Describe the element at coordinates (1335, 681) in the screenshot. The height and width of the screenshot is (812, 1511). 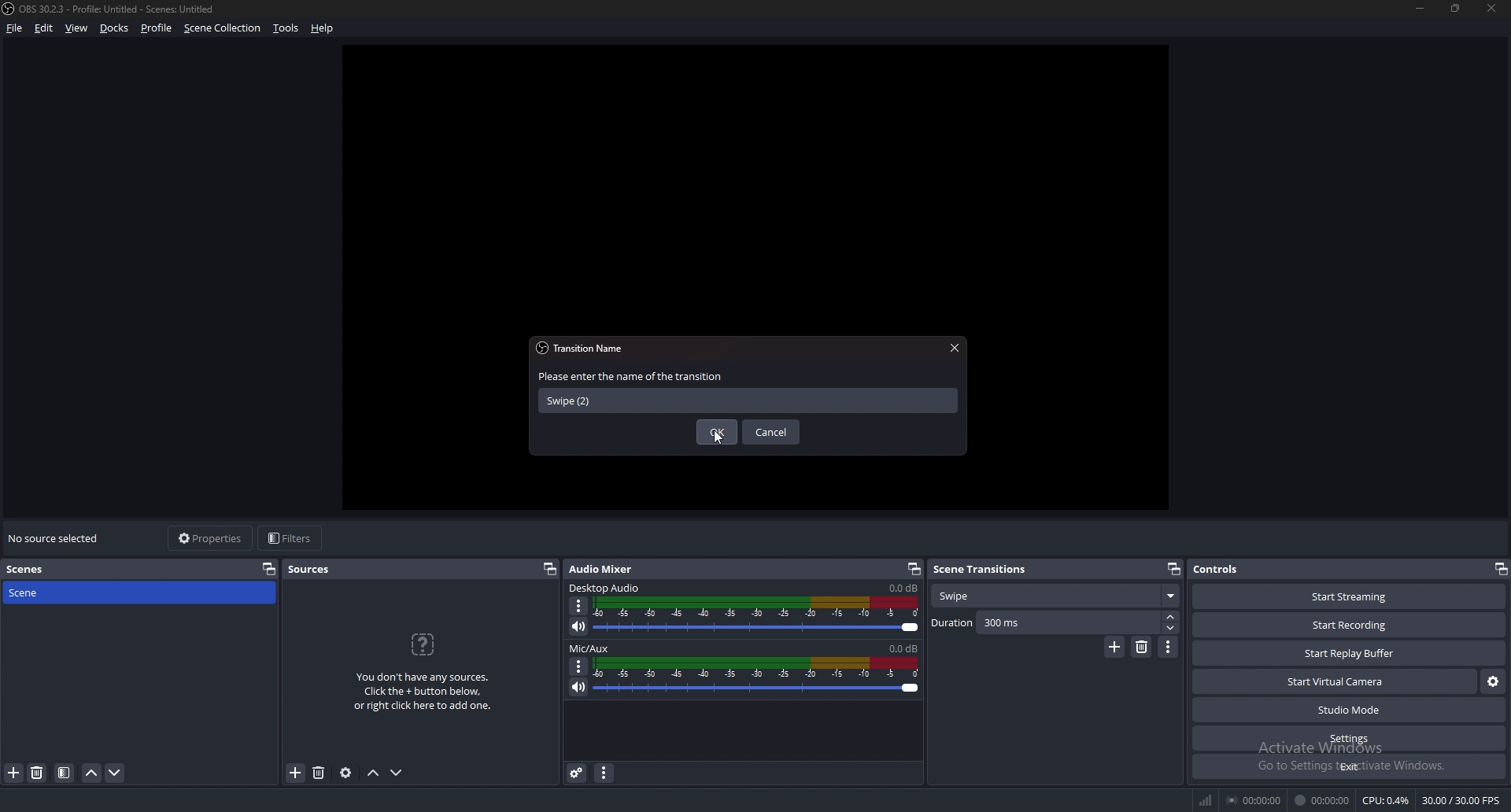
I see `start virtual camera` at that location.